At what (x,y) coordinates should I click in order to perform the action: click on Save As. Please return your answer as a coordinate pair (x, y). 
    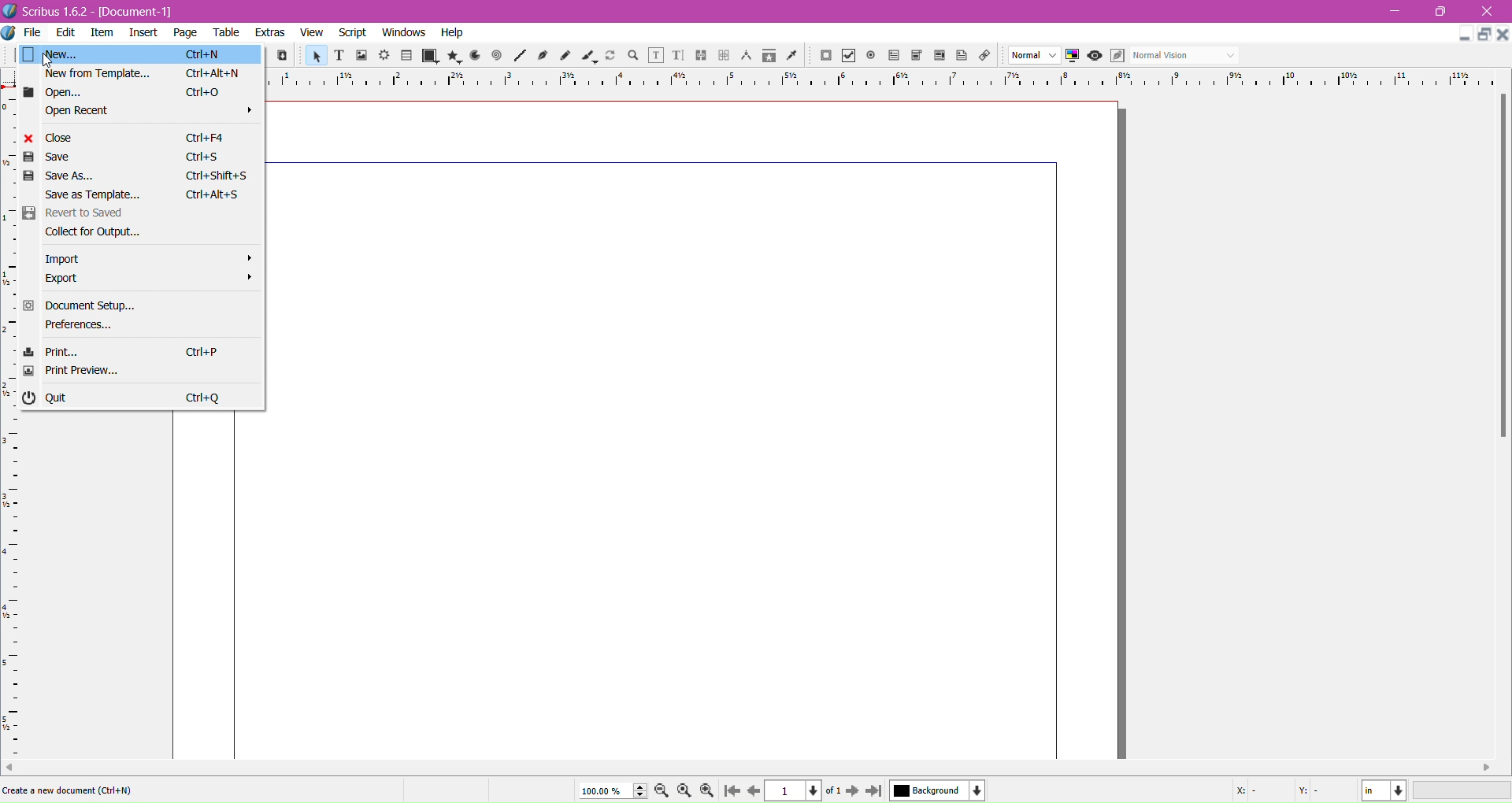
    Looking at the image, I should click on (139, 176).